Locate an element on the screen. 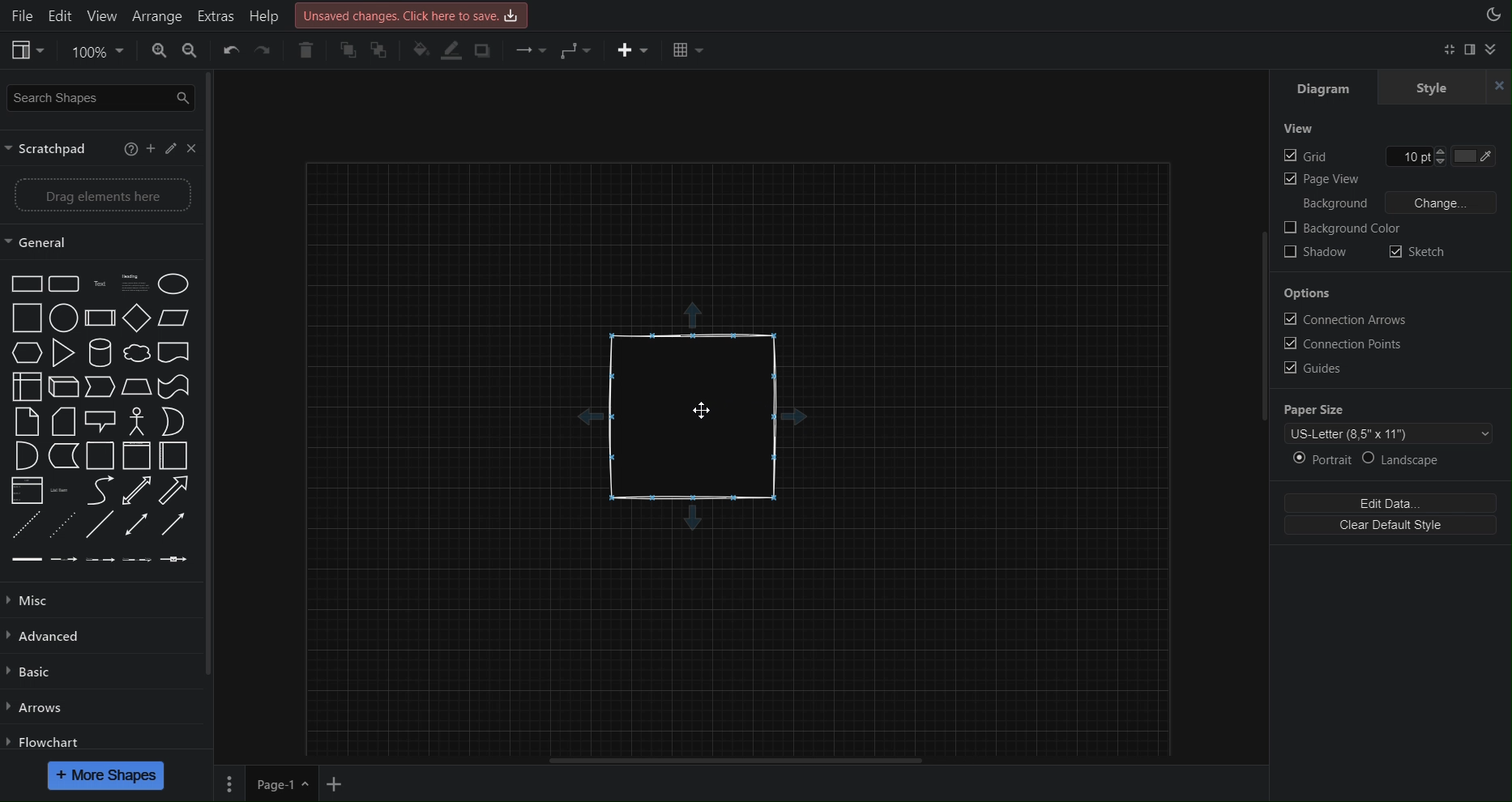 This screenshot has width=1512, height=802. Delete is located at coordinates (306, 51).